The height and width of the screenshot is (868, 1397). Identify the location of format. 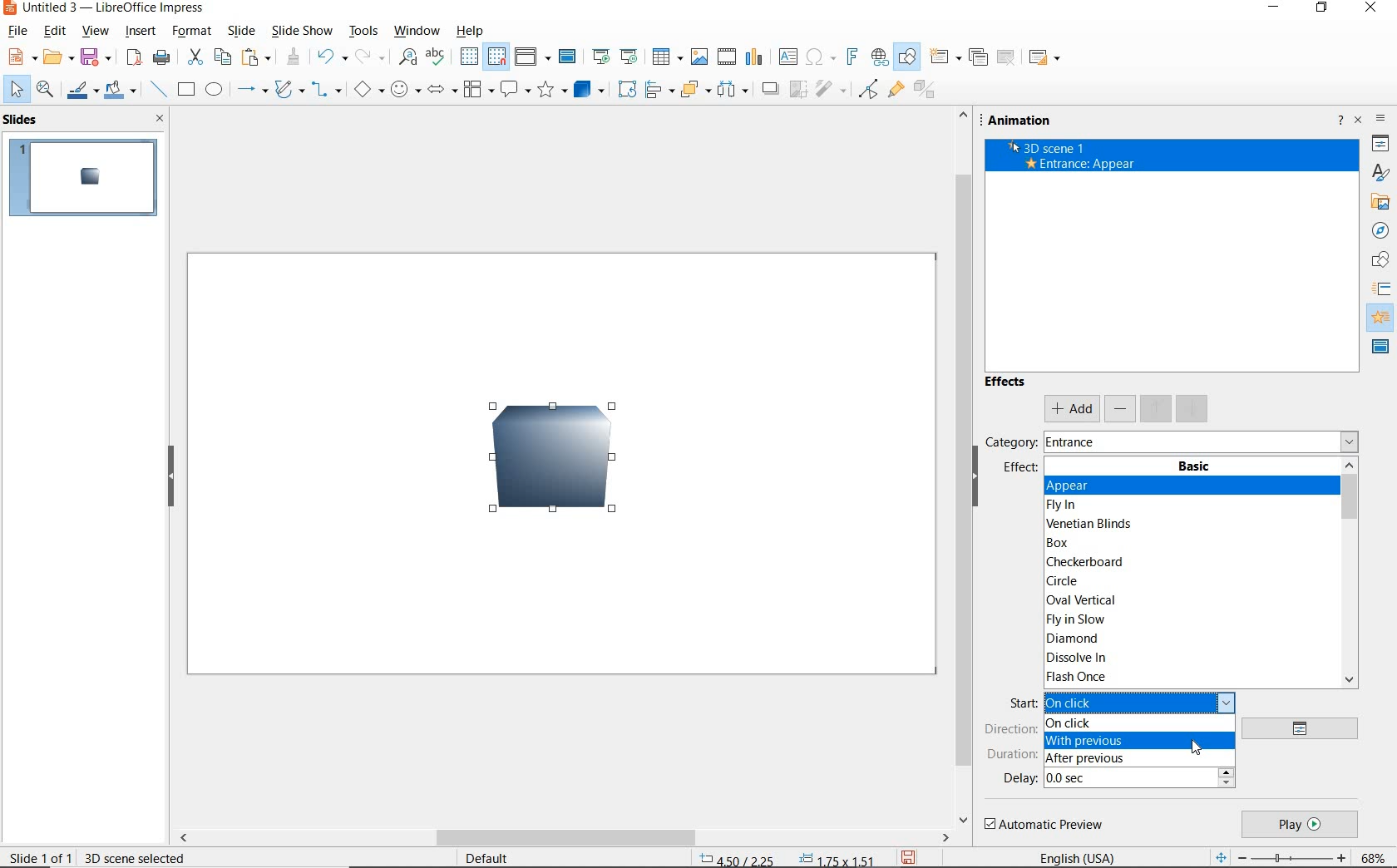
(190, 31).